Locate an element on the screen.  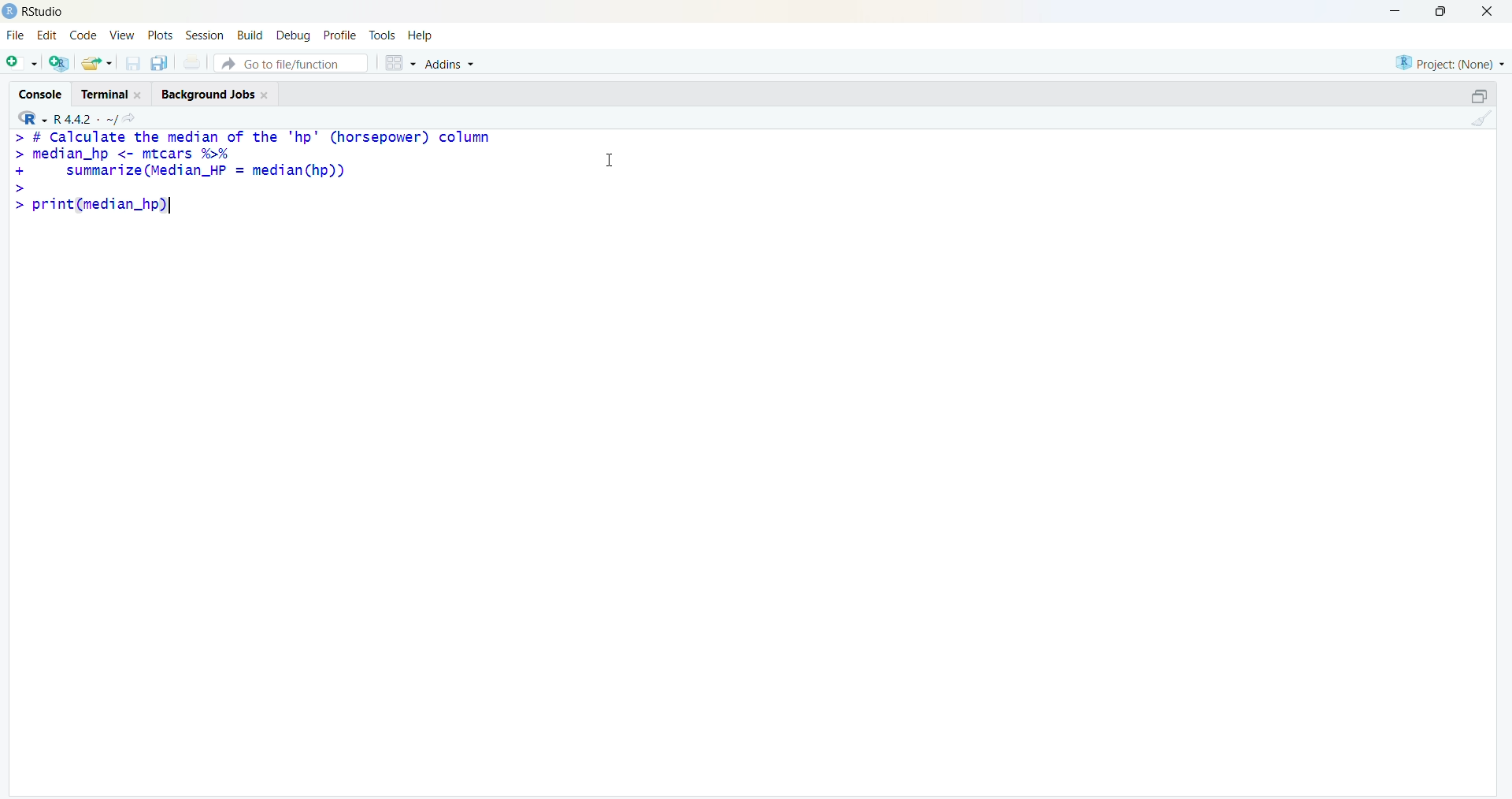
maximise is located at coordinates (1441, 11).